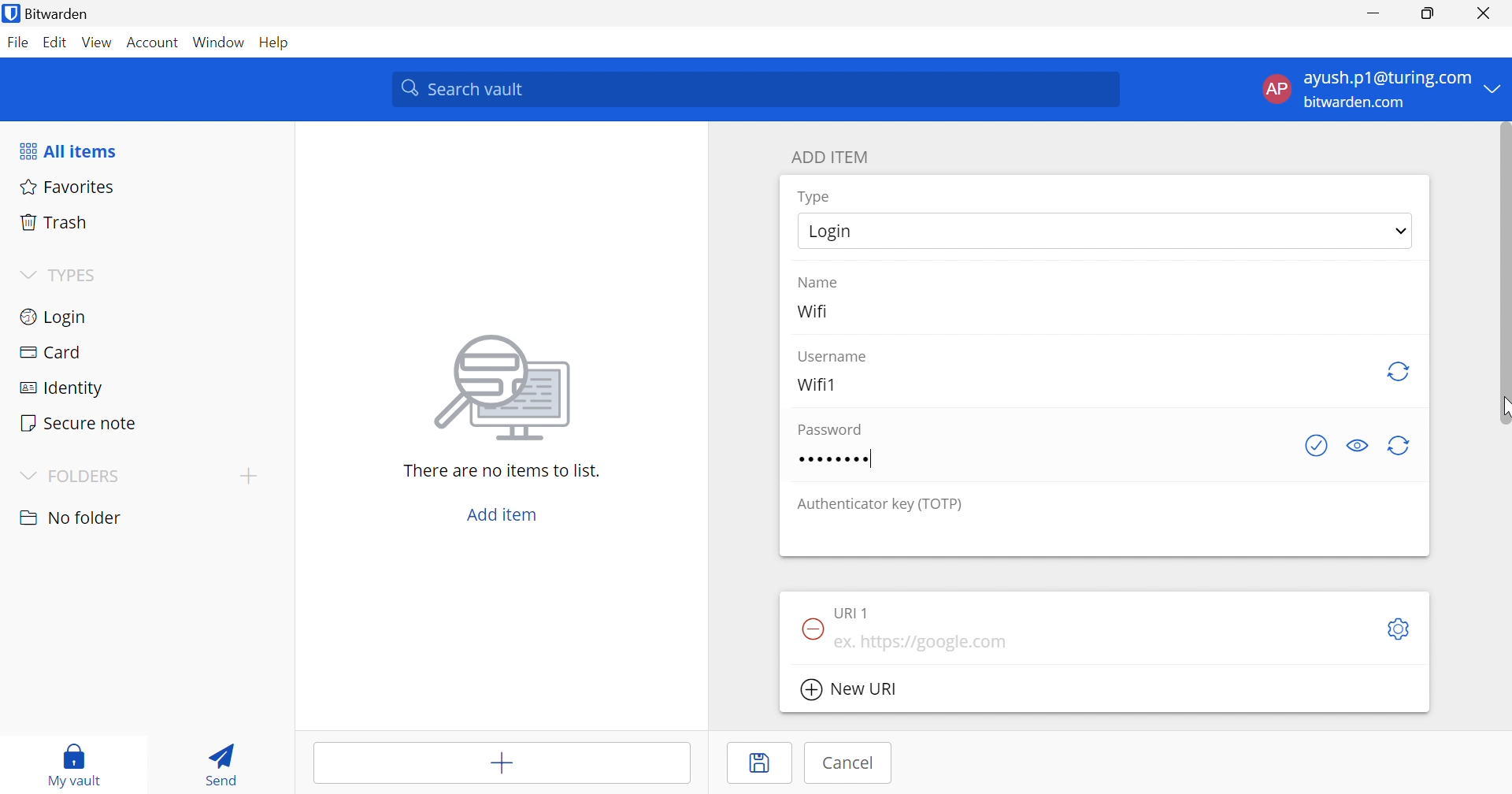 The width and height of the screenshot is (1512, 794). Describe the element at coordinates (76, 278) in the screenshot. I see `TYPES` at that location.